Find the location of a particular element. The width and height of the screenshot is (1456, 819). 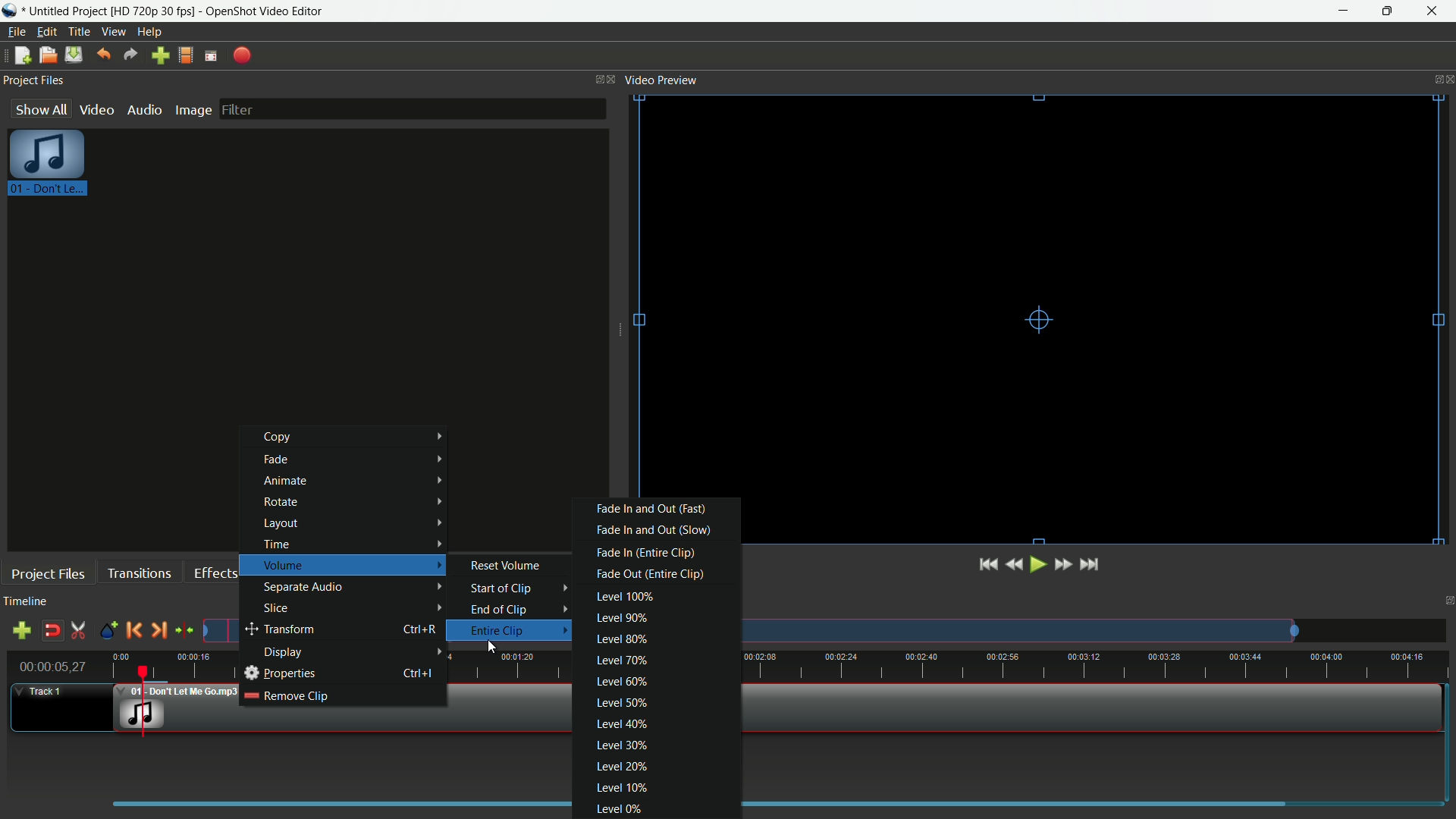

jump to start is located at coordinates (988, 564).